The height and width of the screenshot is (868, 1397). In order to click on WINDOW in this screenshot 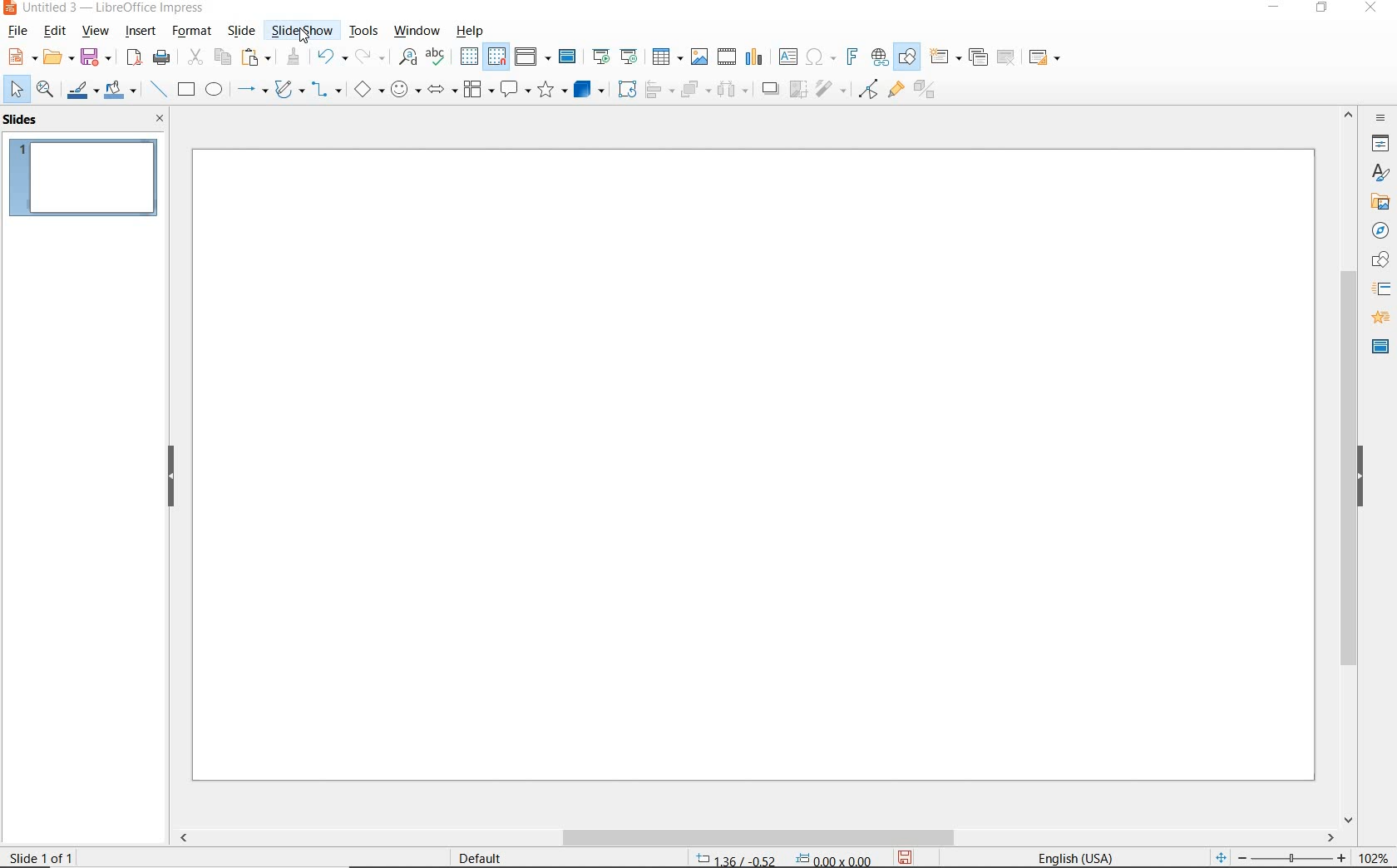, I will do `click(416, 30)`.